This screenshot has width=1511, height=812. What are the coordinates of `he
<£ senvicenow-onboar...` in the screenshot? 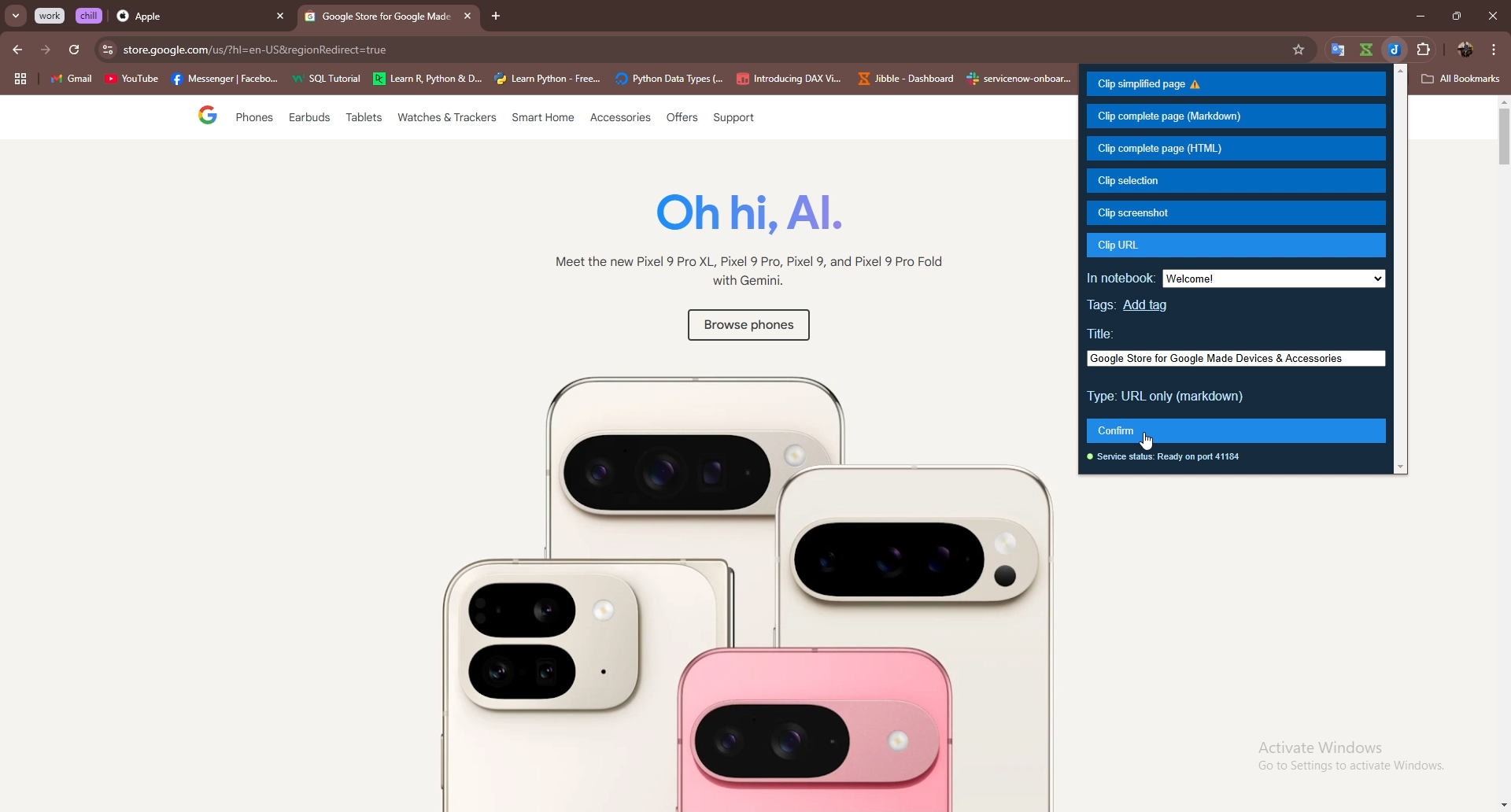 It's located at (1020, 79).